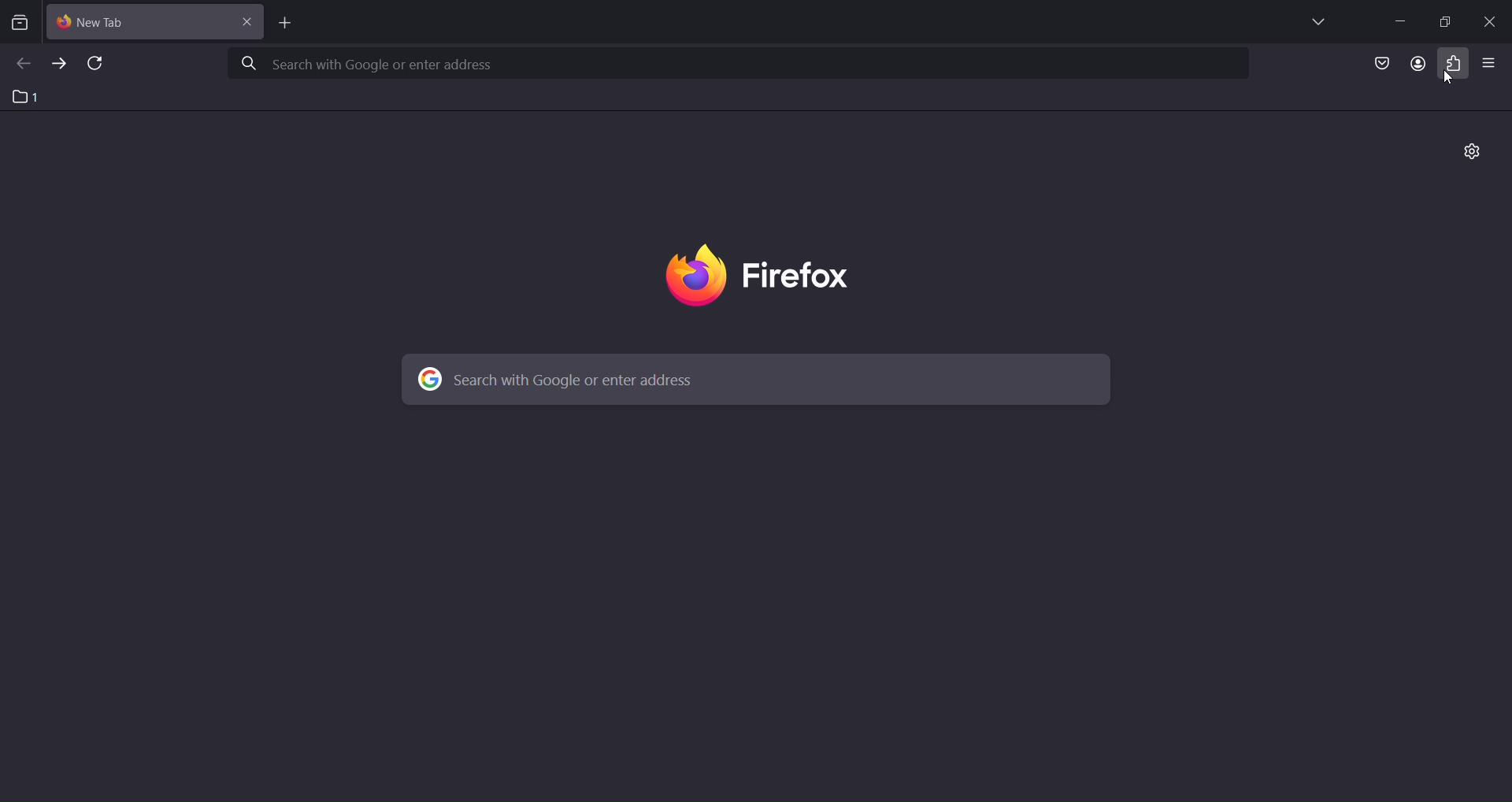 The width and height of the screenshot is (1512, 802). What do you see at coordinates (287, 24) in the screenshot?
I see `new tab` at bounding box center [287, 24].